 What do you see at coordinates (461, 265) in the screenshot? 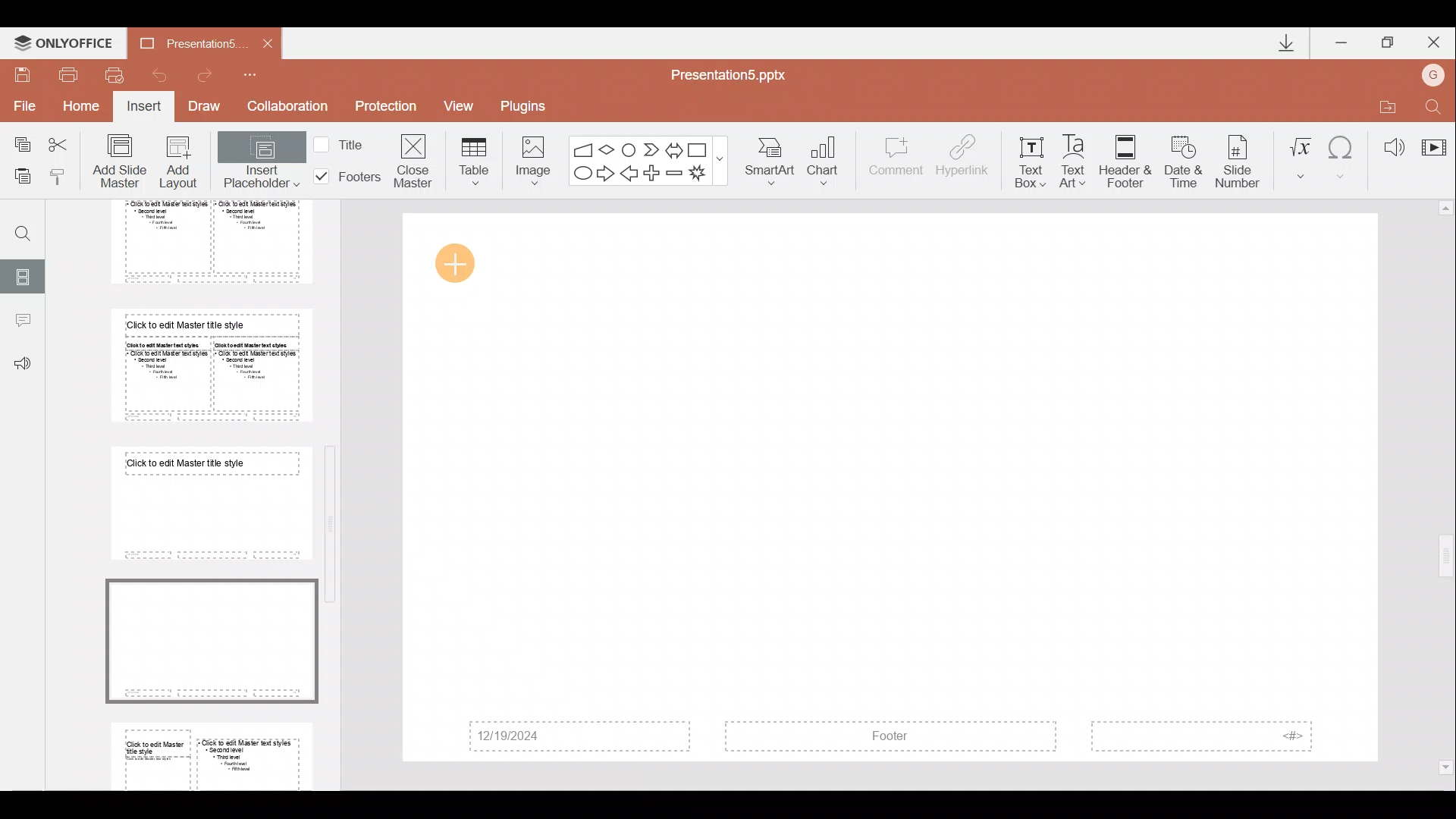
I see `Cursor` at bounding box center [461, 265].